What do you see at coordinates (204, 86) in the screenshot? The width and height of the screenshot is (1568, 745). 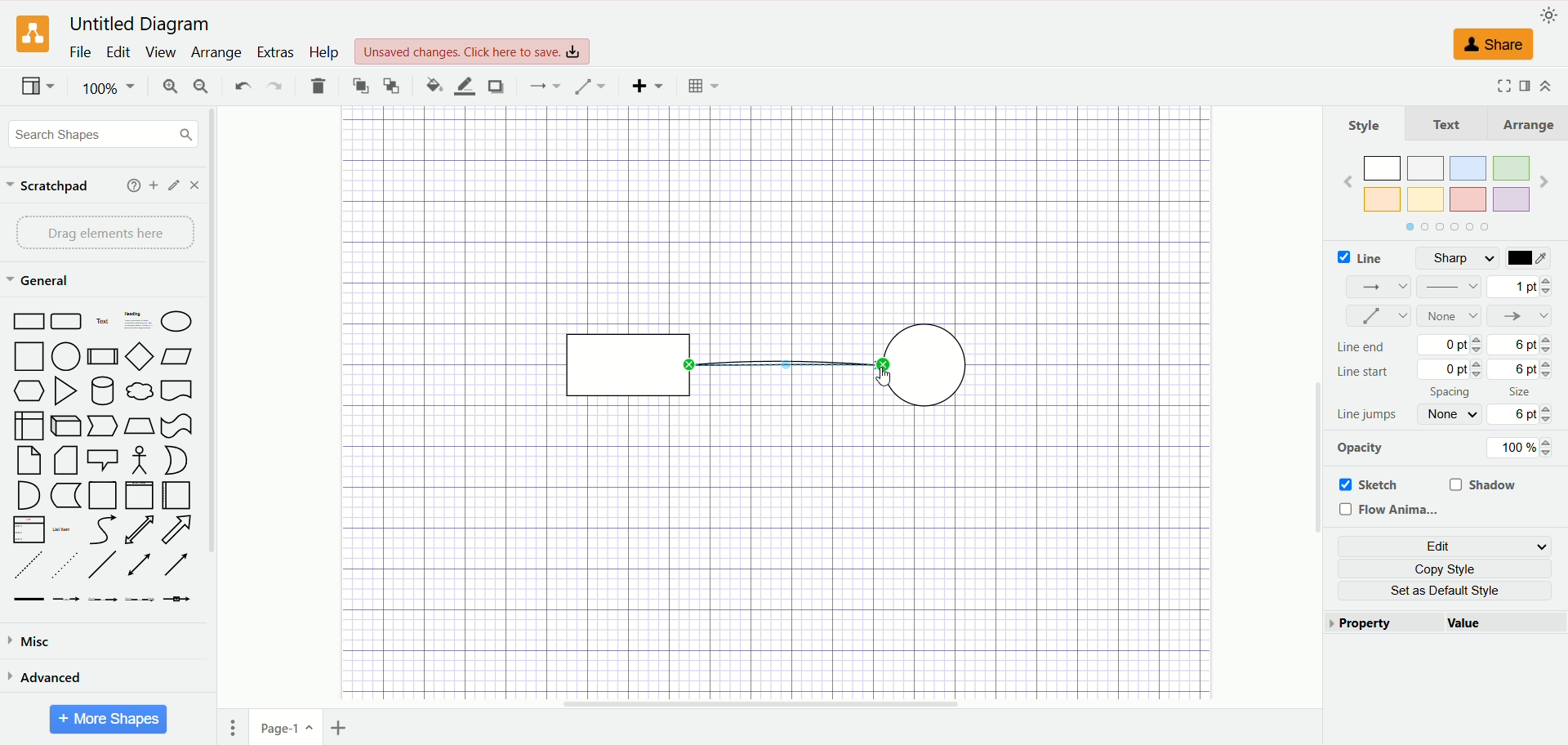 I see `zoom out` at bounding box center [204, 86].